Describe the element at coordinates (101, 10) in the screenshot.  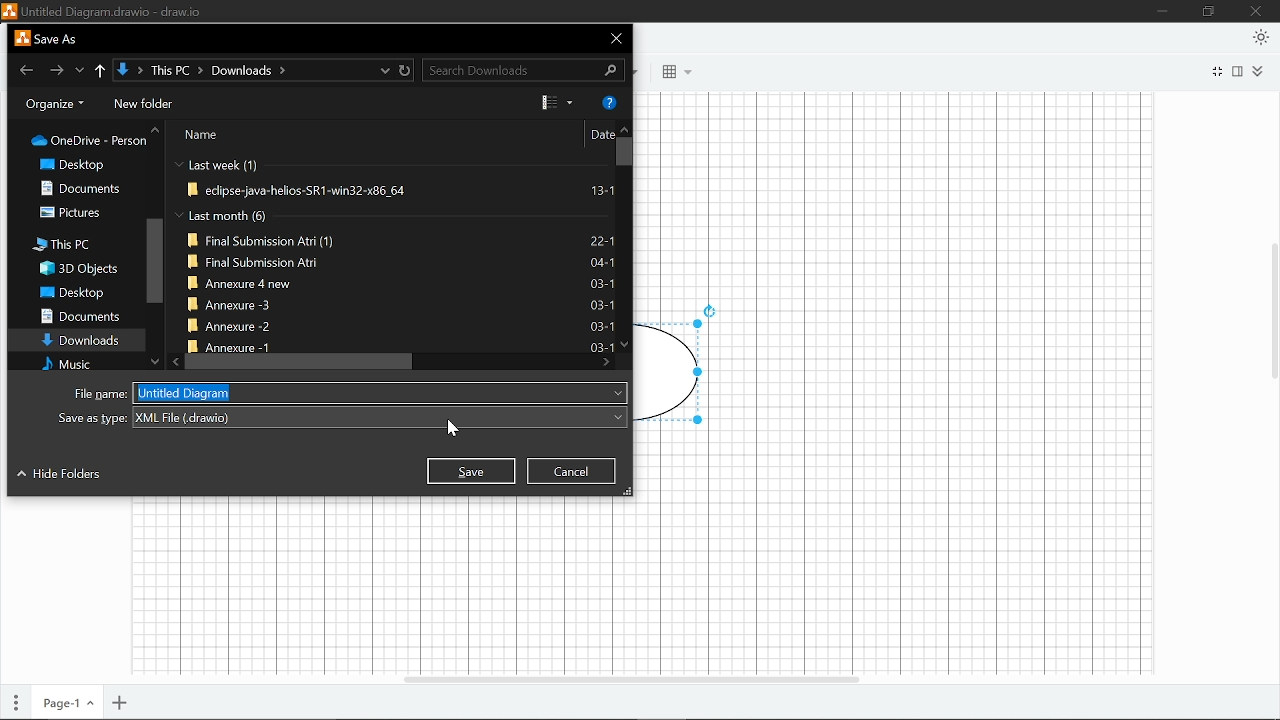
I see `File name -Untitled Diagram.drawio - draw.io` at that location.